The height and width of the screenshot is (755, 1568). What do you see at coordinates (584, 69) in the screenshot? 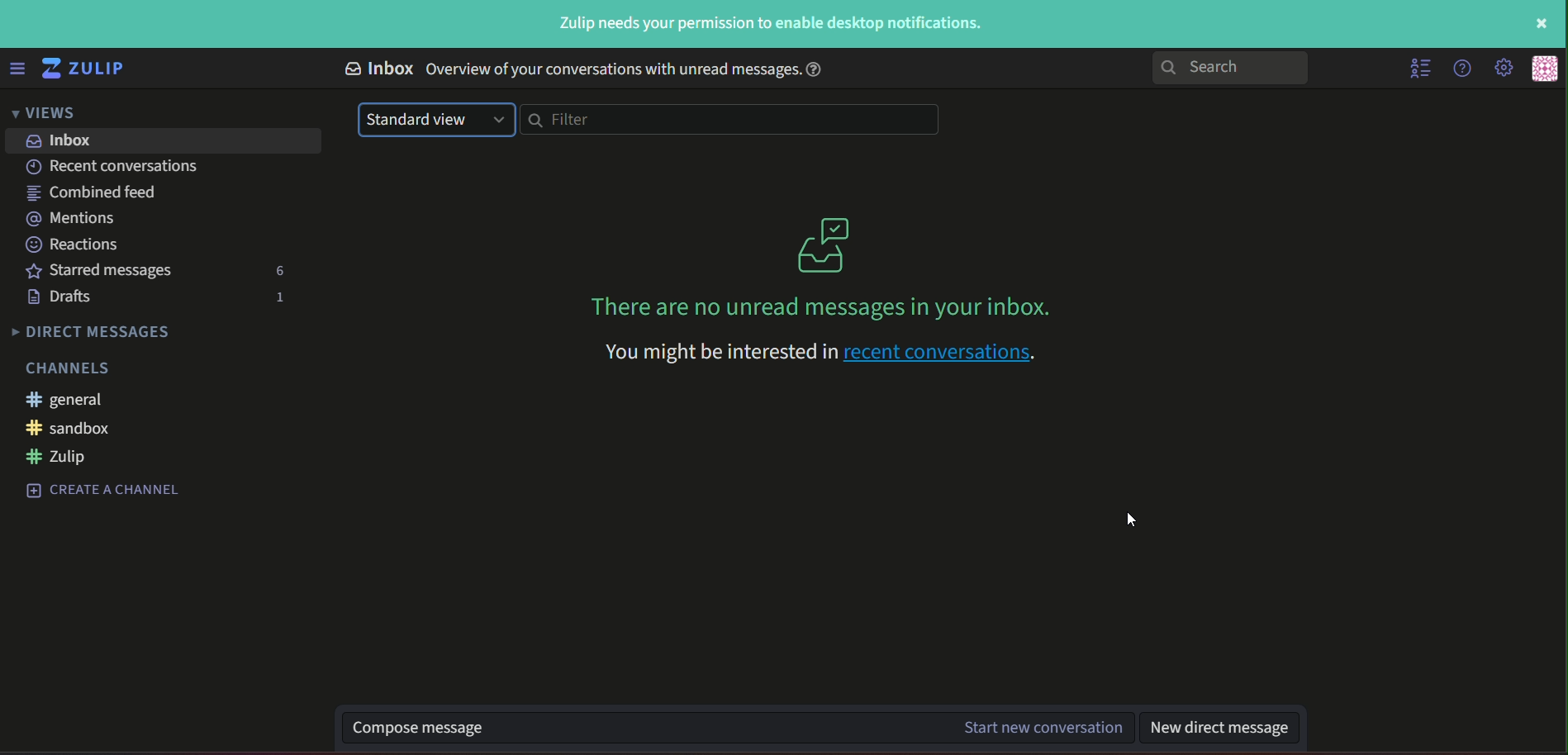
I see `text` at bounding box center [584, 69].